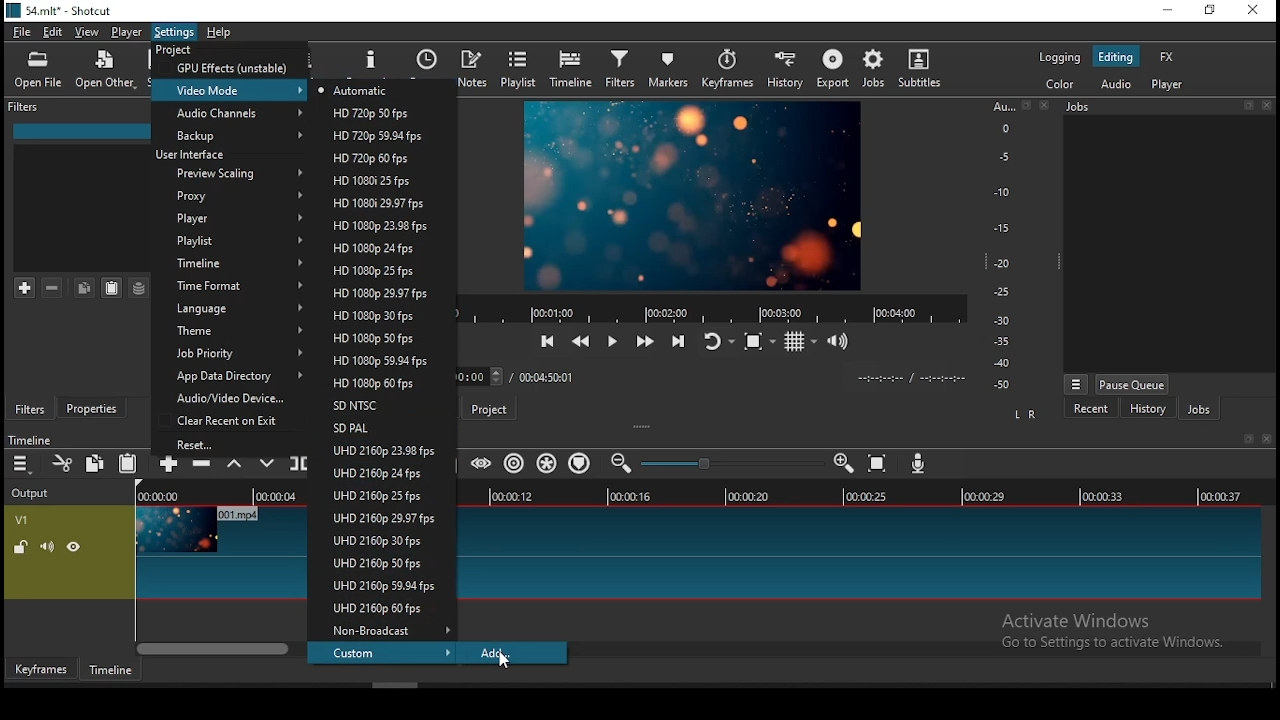  What do you see at coordinates (29, 440) in the screenshot?
I see `timeline` at bounding box center [29, 440].